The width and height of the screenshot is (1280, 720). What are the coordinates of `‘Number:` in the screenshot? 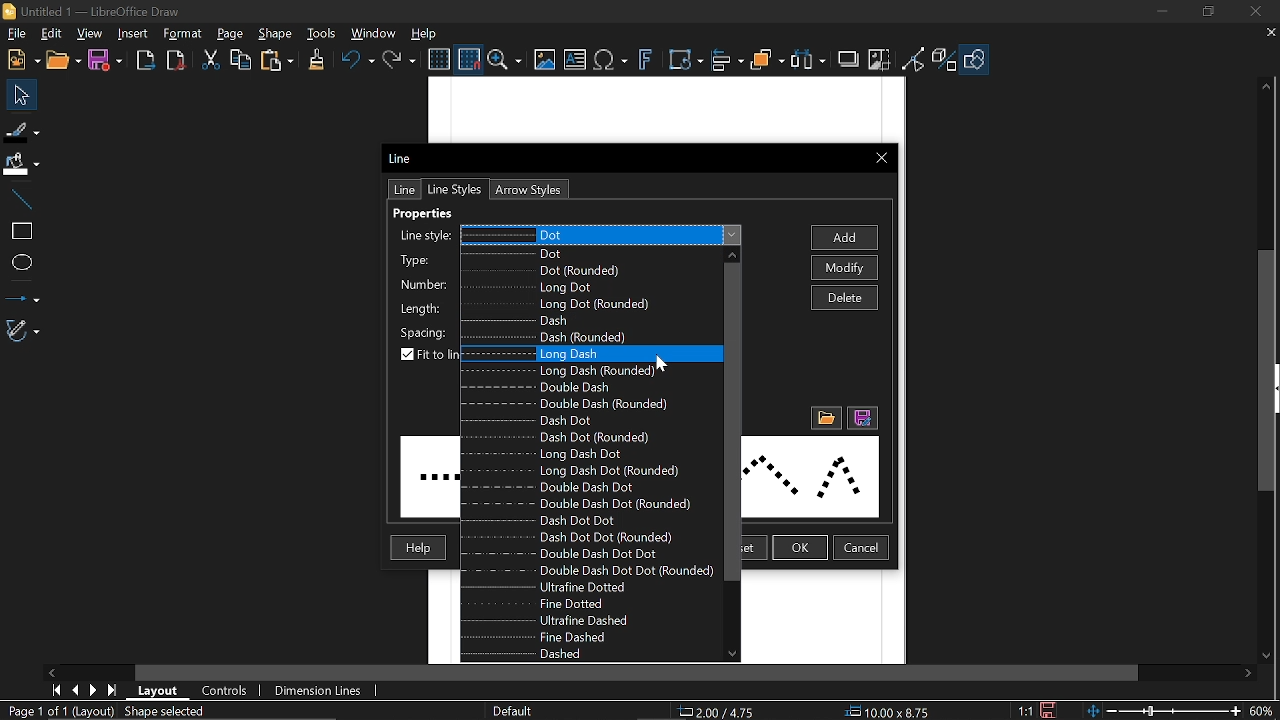 It's located at (420, 285).